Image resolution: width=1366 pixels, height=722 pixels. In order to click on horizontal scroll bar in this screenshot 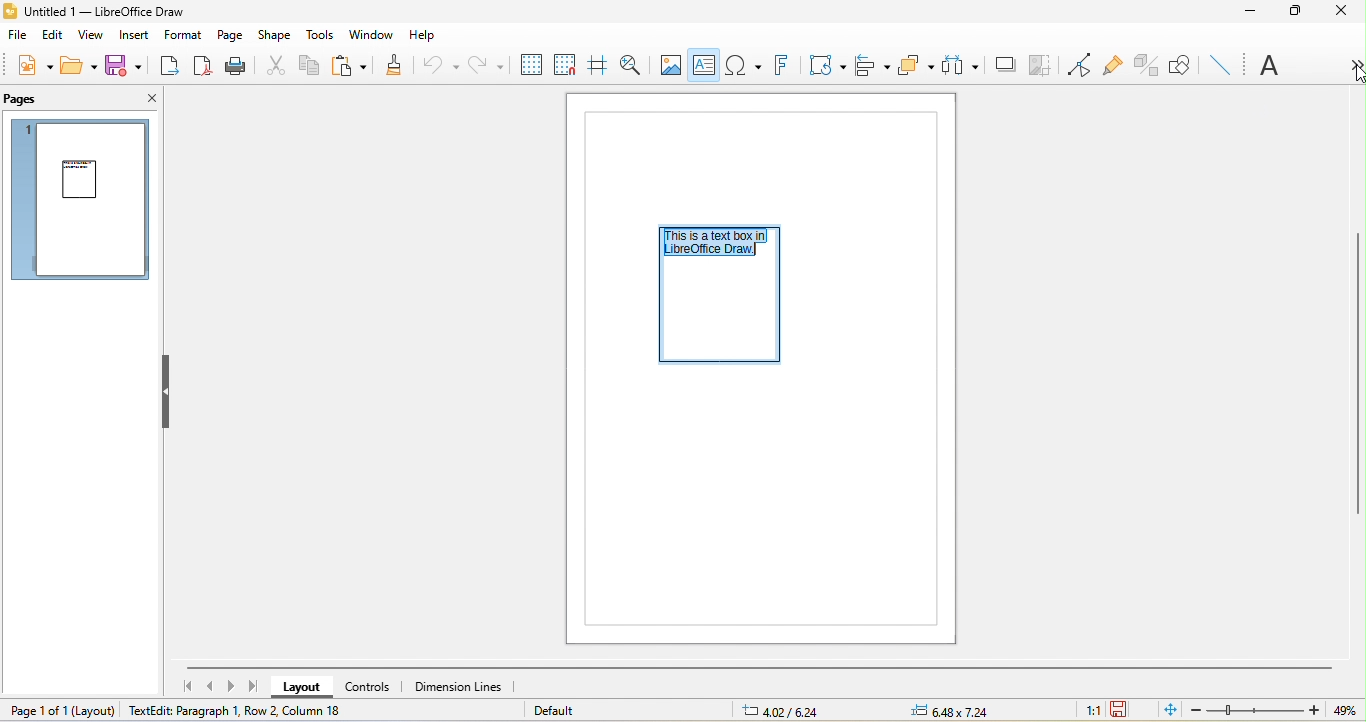, I will do `click(756, 669)`.